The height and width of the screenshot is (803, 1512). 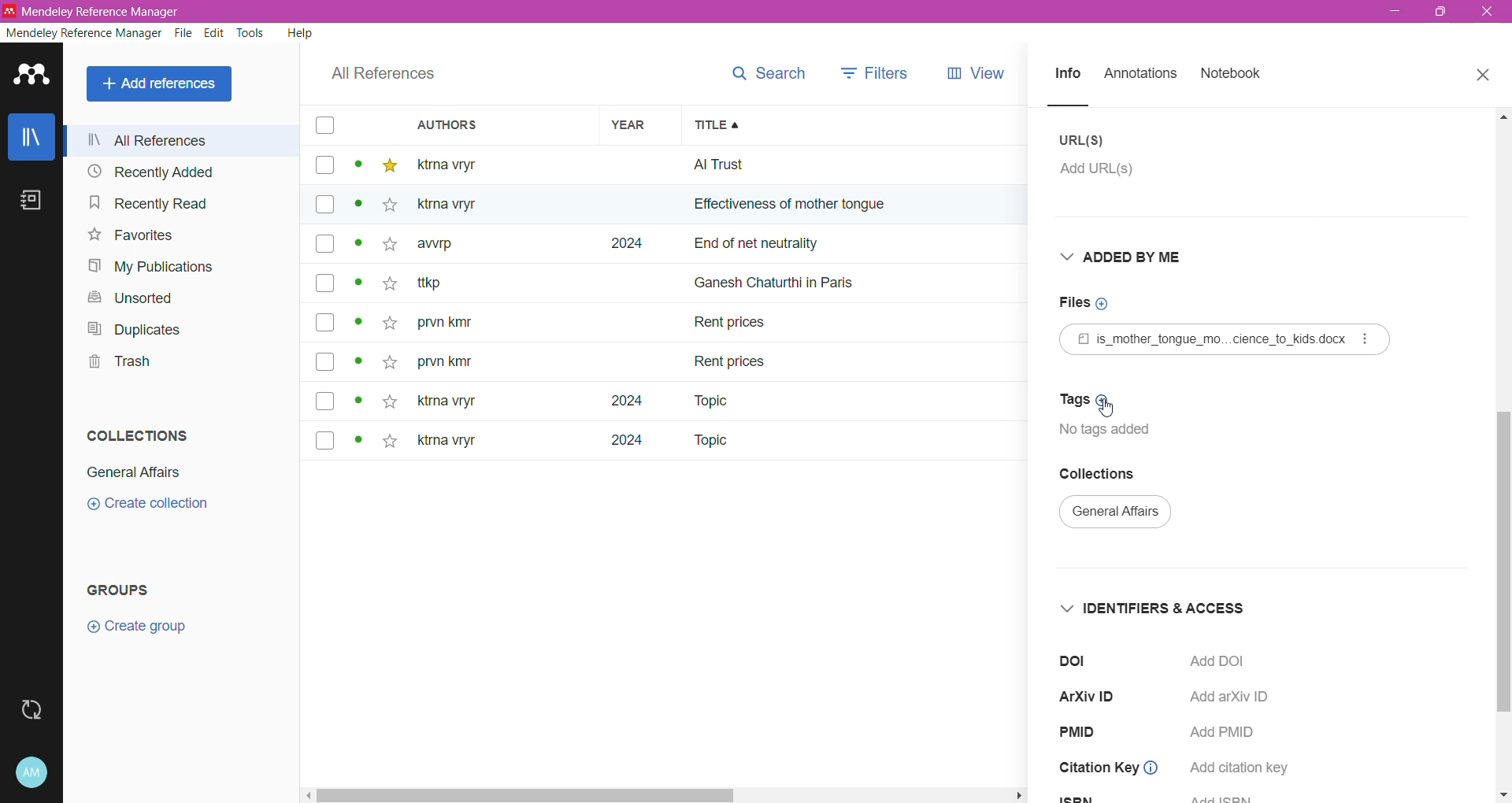 I want to click on File, so click(x=185, y=33).